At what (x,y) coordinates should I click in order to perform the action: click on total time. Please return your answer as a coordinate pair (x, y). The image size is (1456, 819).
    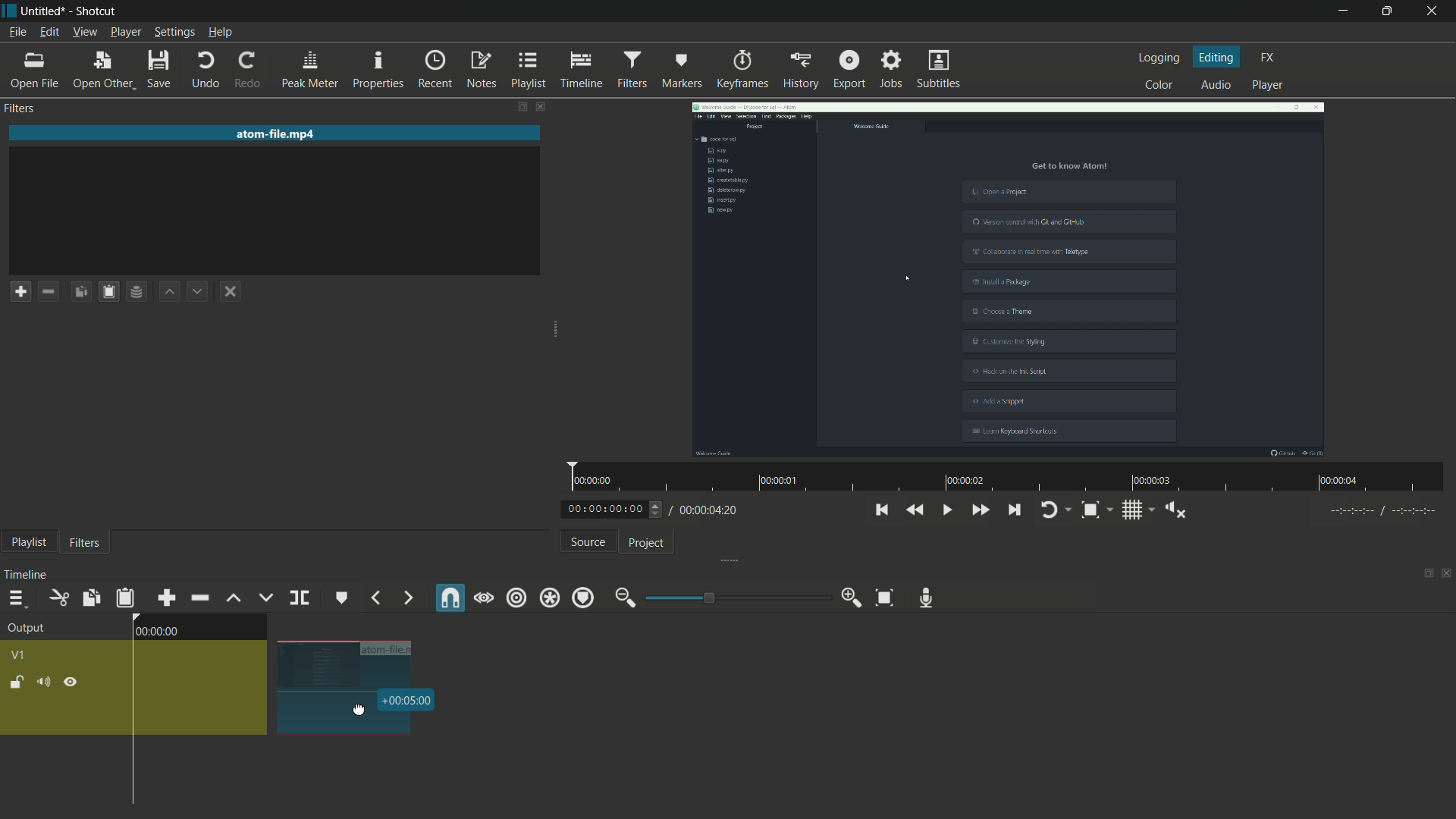
    Looking at the image, I should click on (711, 512).